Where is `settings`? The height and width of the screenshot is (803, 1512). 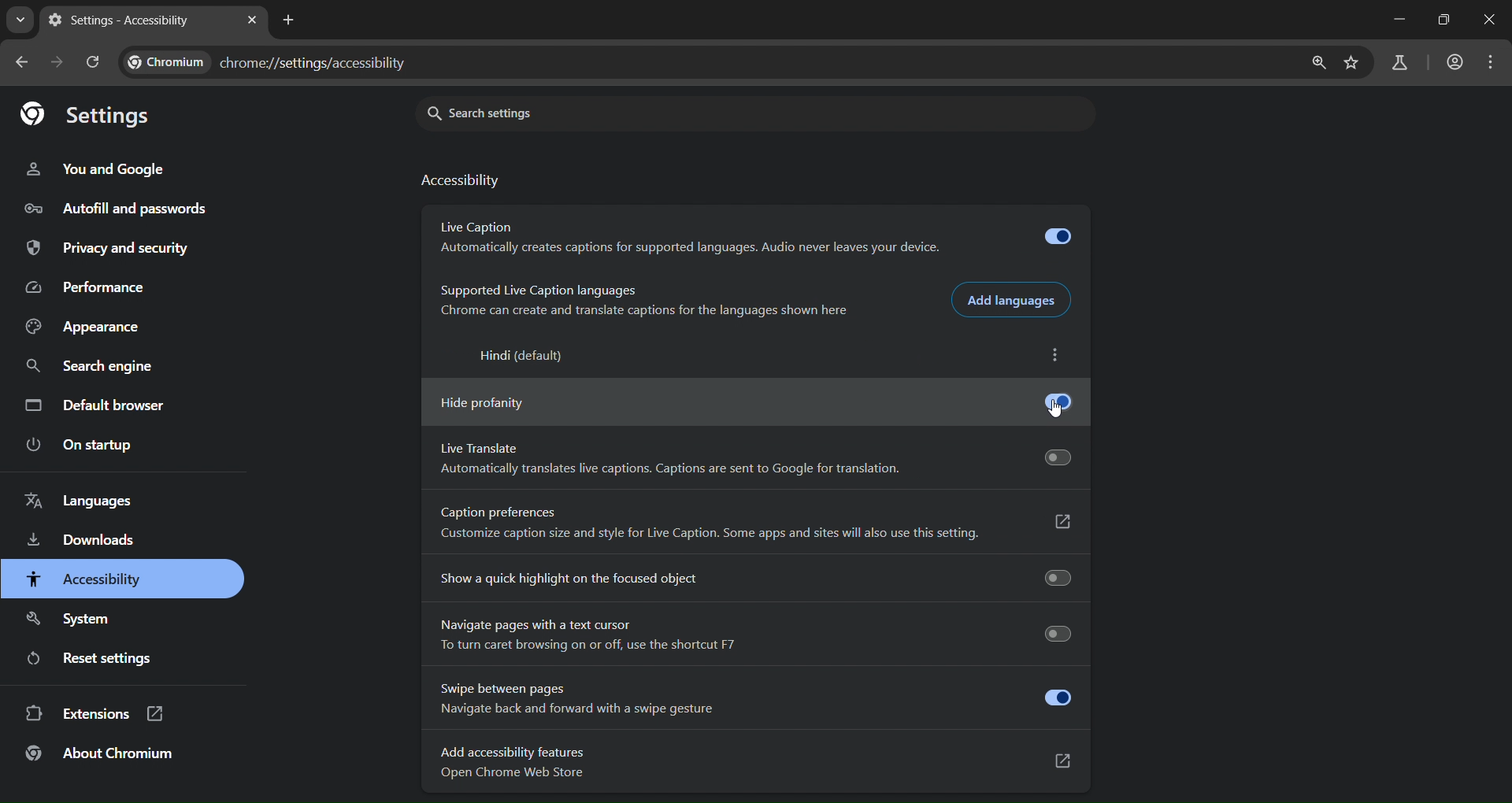
settings is located at coordinates (91, 117).